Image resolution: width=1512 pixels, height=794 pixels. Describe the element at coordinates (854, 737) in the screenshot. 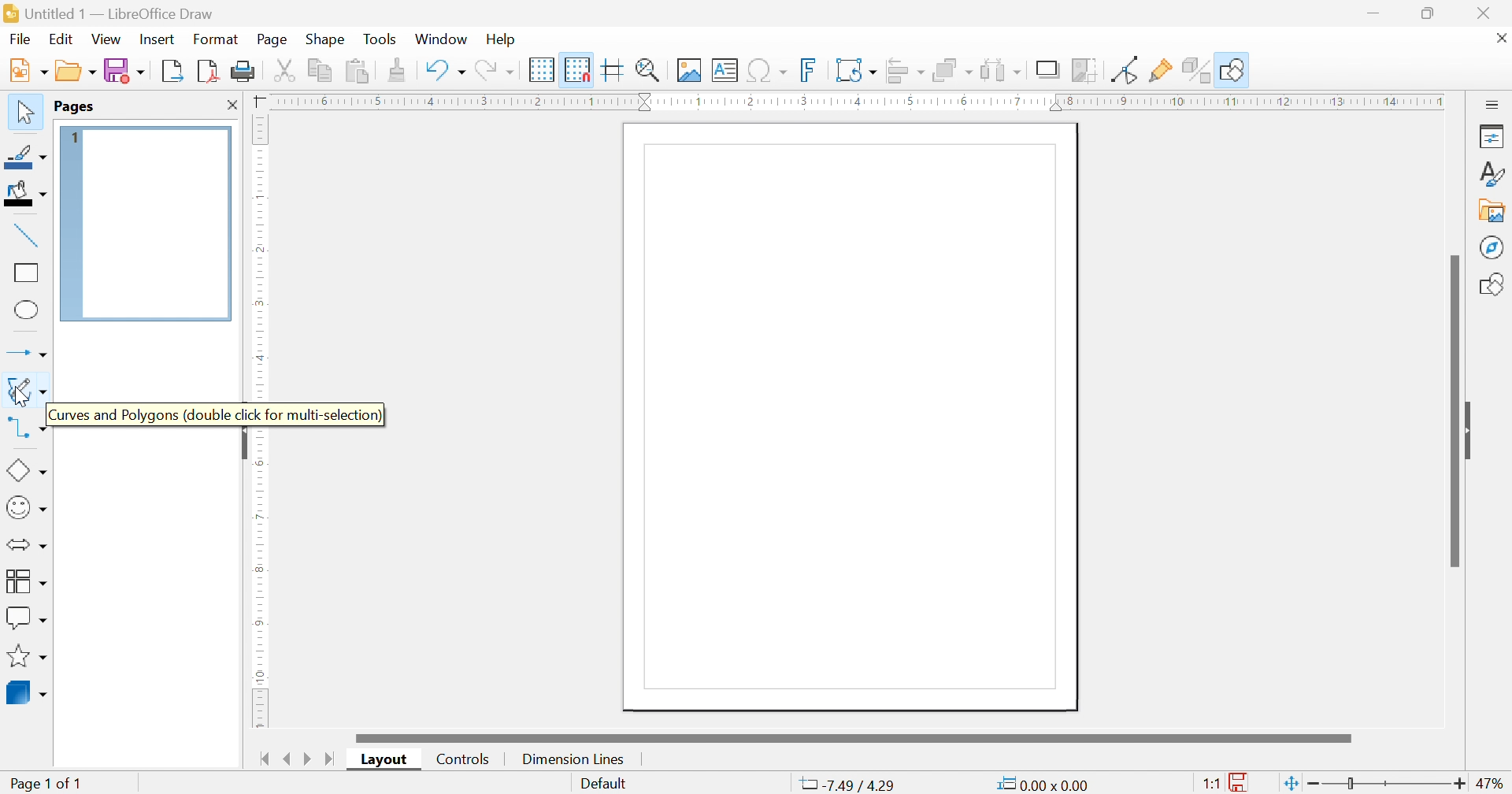

I see `scroll bar` at that location.